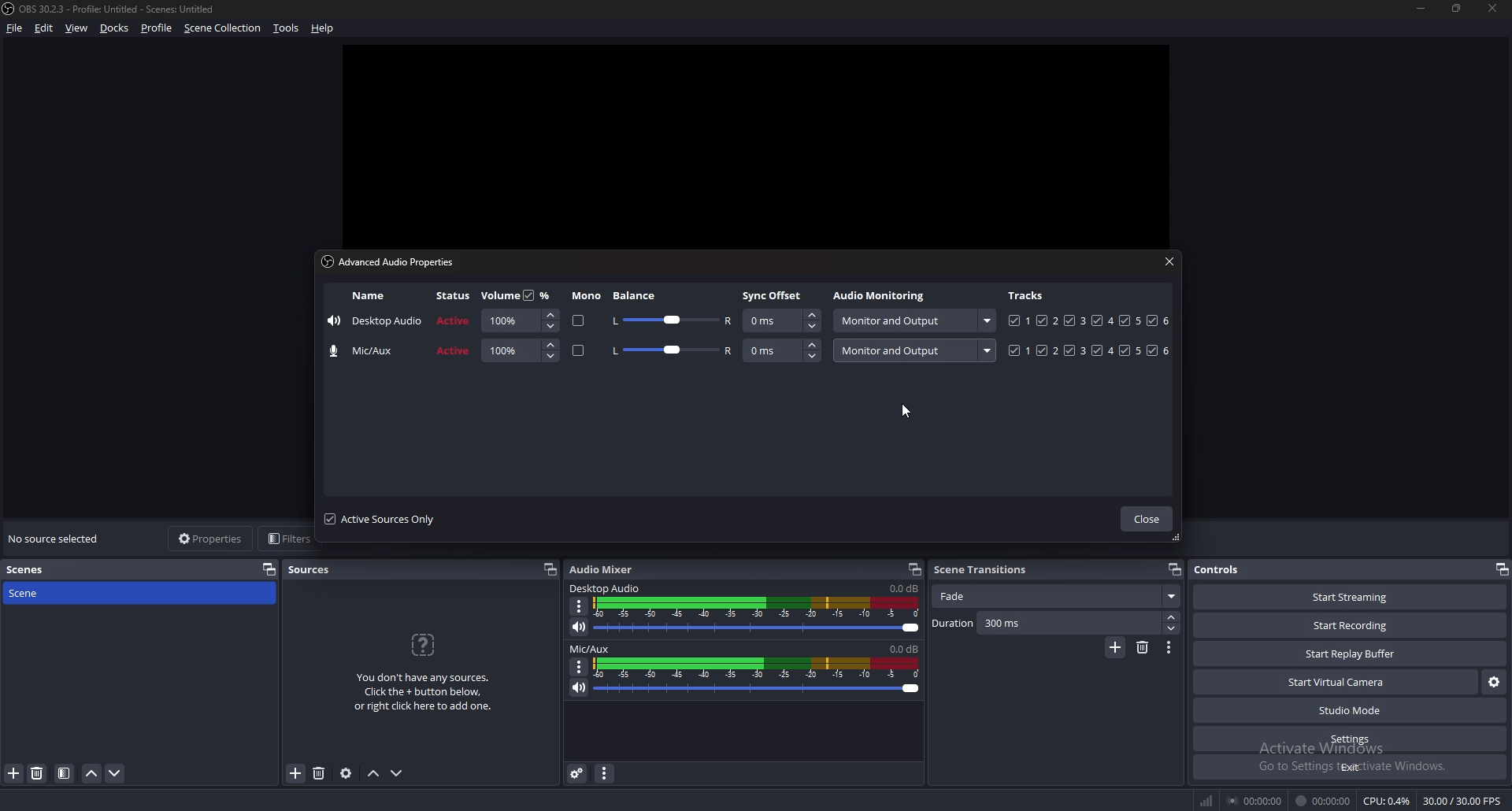 The image size is (1512, 811). Describe the element at coordinates (10, 9) in the screenshot. I see `obs logo` at that location.